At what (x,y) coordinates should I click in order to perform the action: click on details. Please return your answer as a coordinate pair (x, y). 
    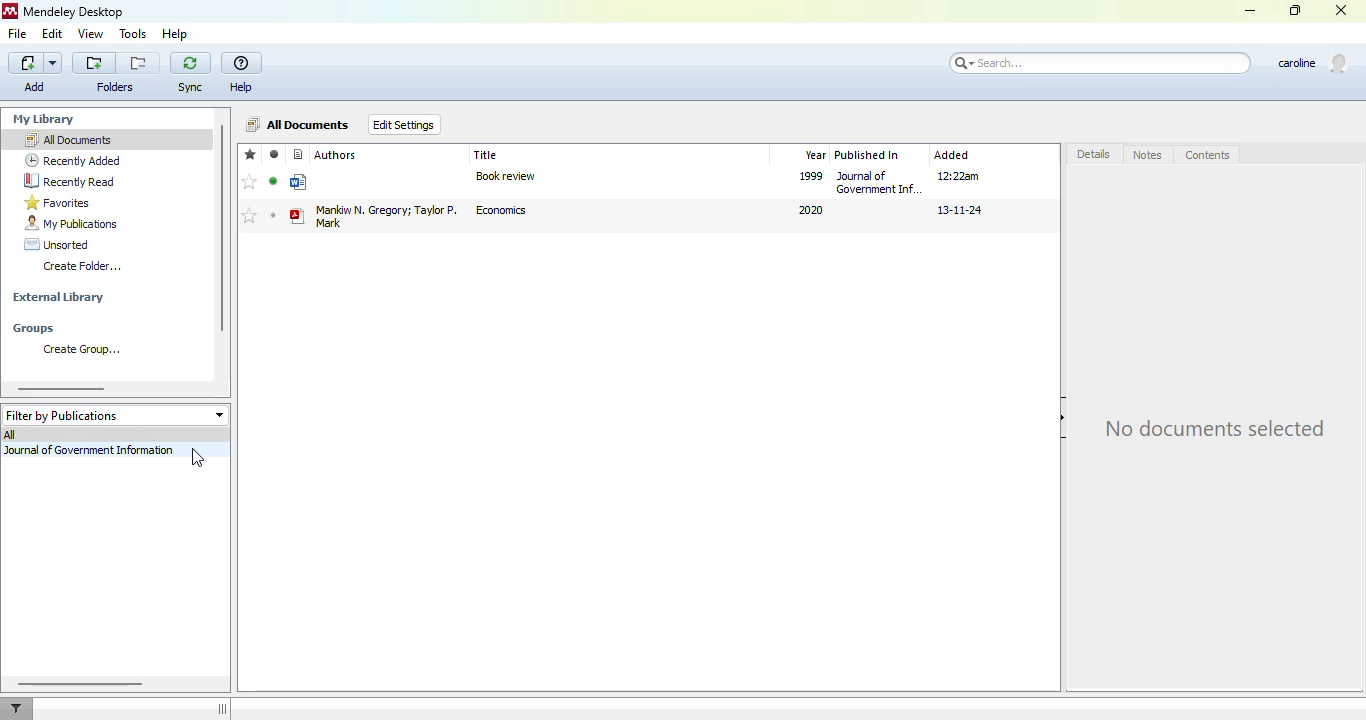
    Looking at the image, I should click on (1095, 153).